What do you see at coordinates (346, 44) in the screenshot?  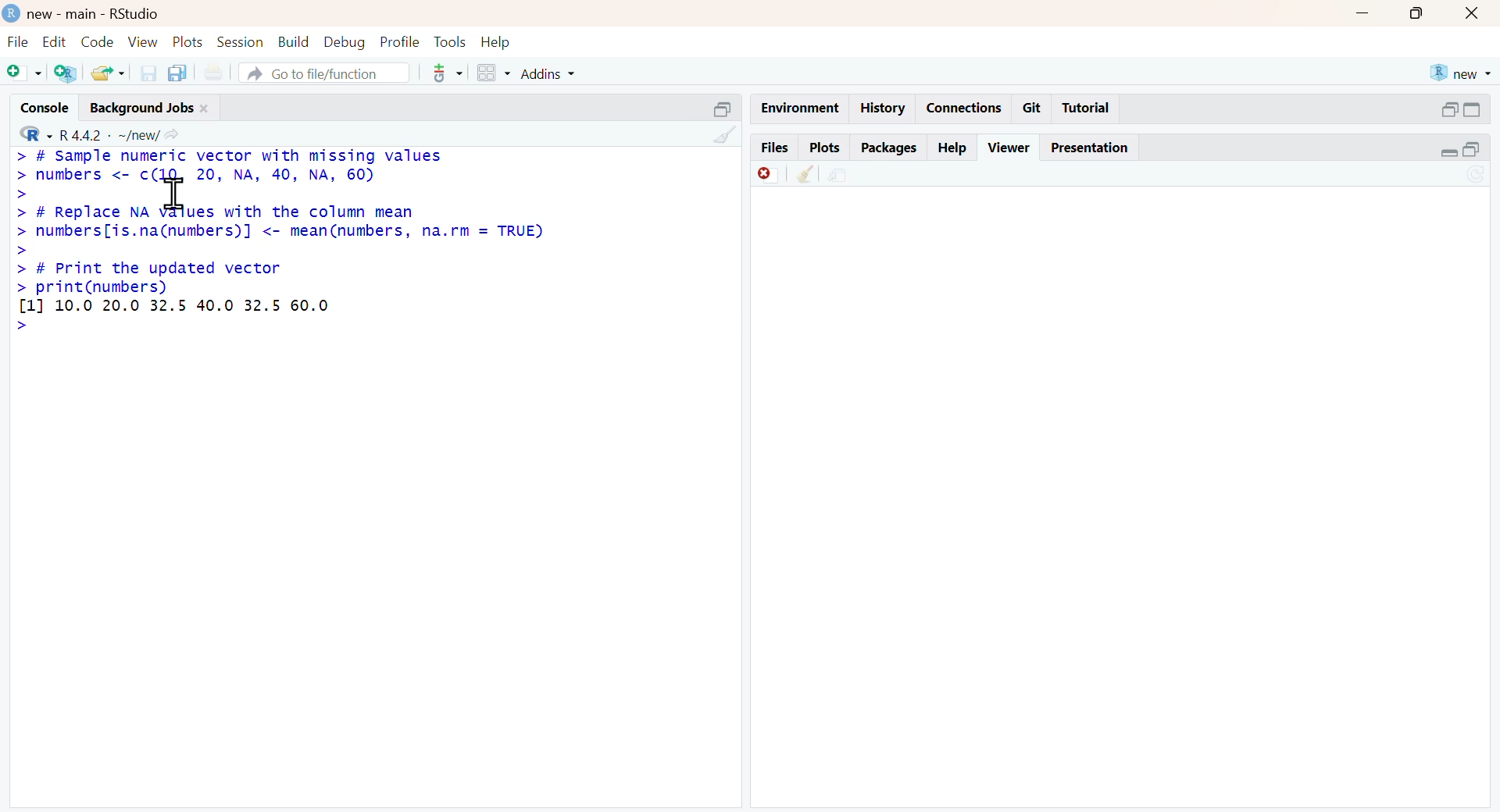 I see `debug` at bounding box center [346, 44].